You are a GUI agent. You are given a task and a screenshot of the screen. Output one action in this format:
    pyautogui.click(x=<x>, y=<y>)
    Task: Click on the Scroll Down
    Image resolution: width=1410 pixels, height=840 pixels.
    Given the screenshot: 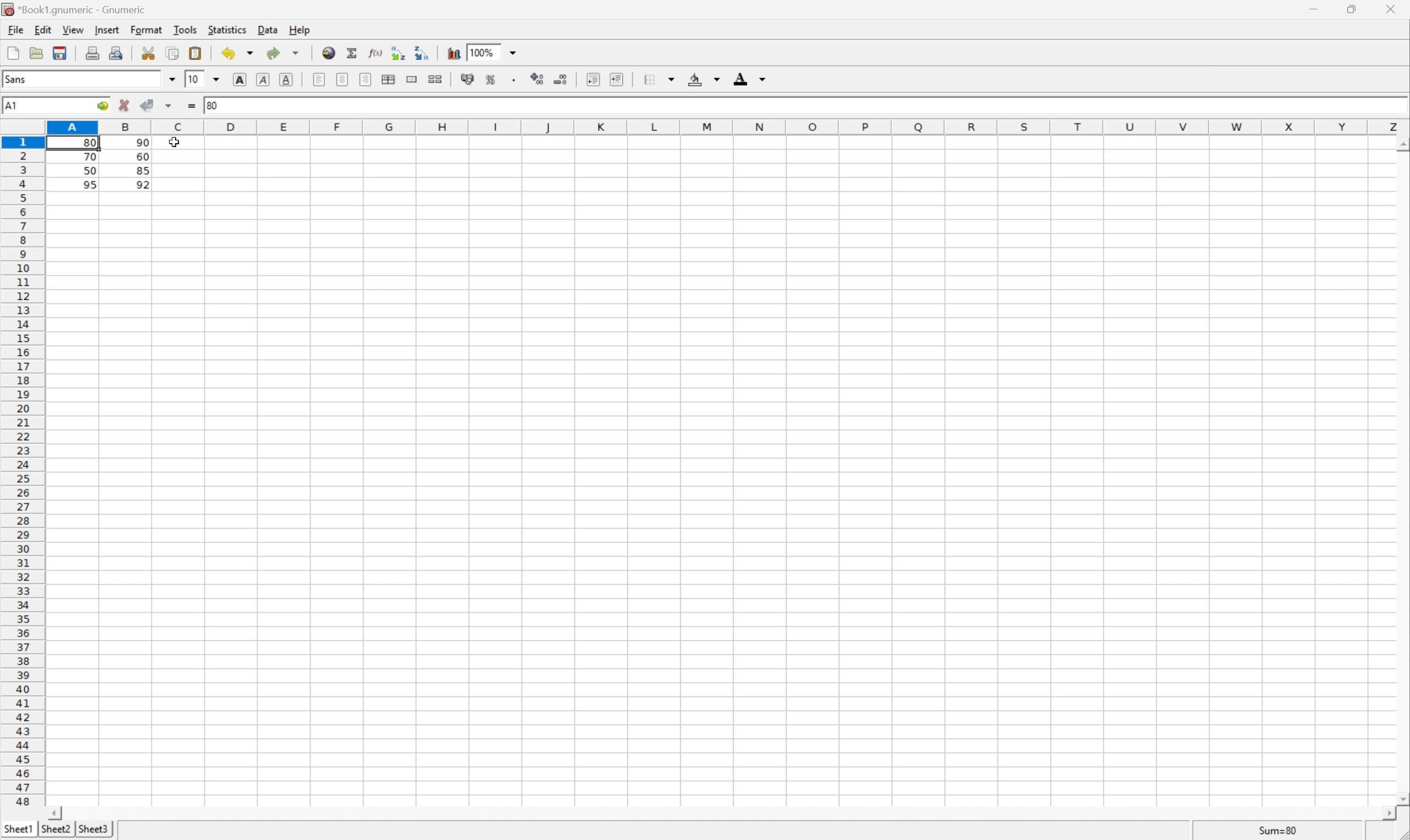 What is the action you would take?
    pyautogui.click(x=1401, y=797)
    